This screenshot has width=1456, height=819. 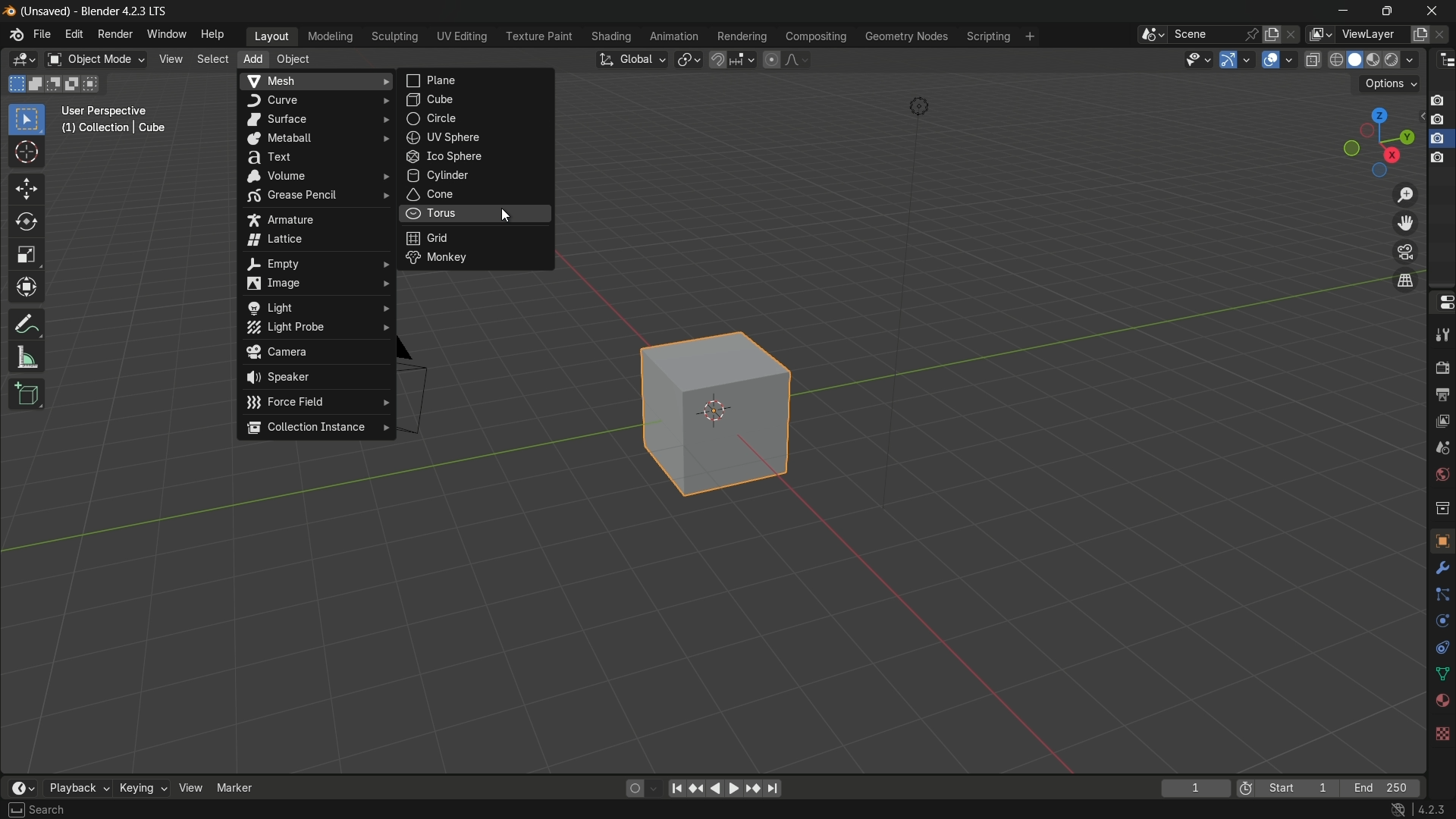 I want to click on cylinder, so click(x=475, y=177).